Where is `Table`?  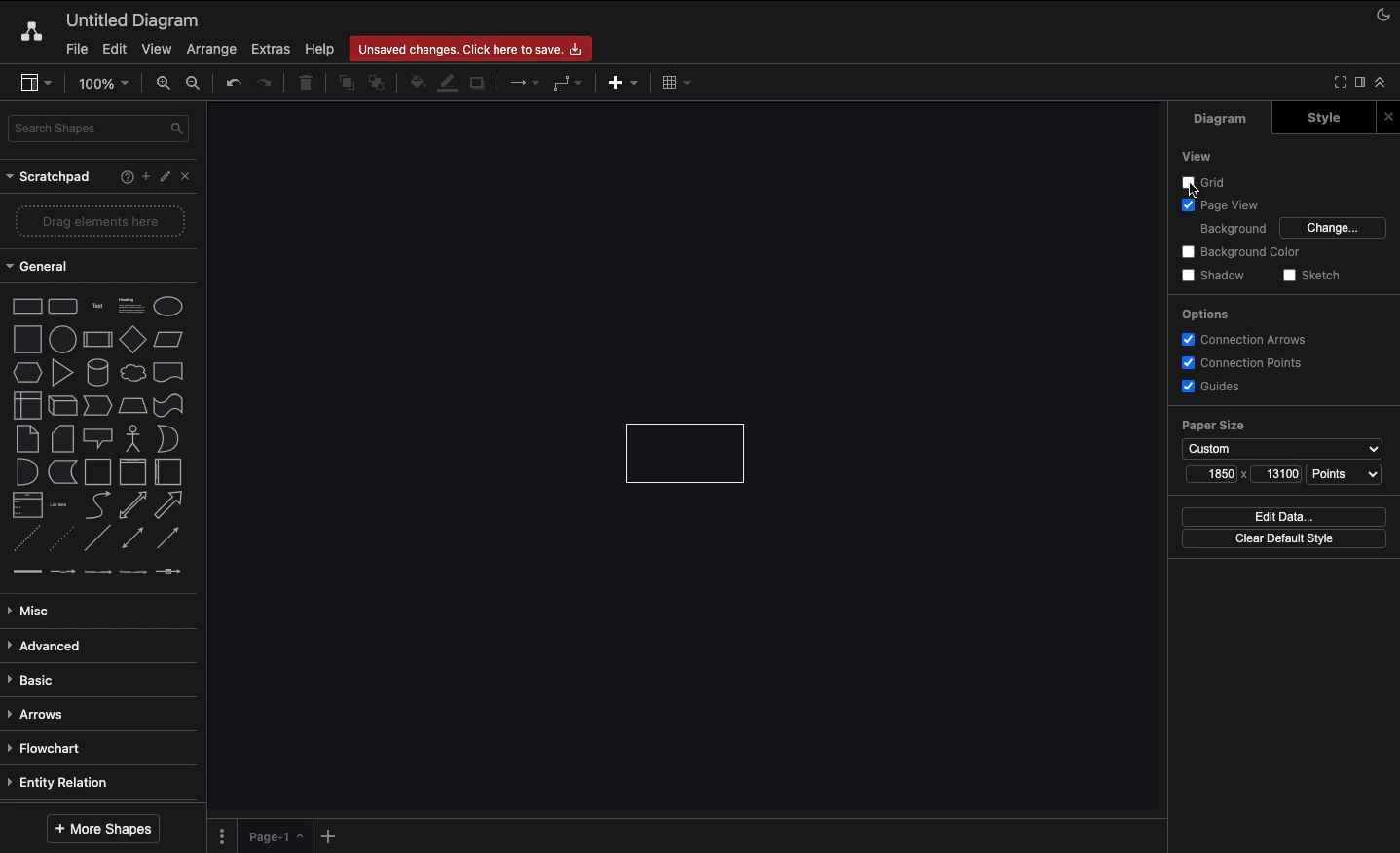
Table is located at coordinates (677, 83).